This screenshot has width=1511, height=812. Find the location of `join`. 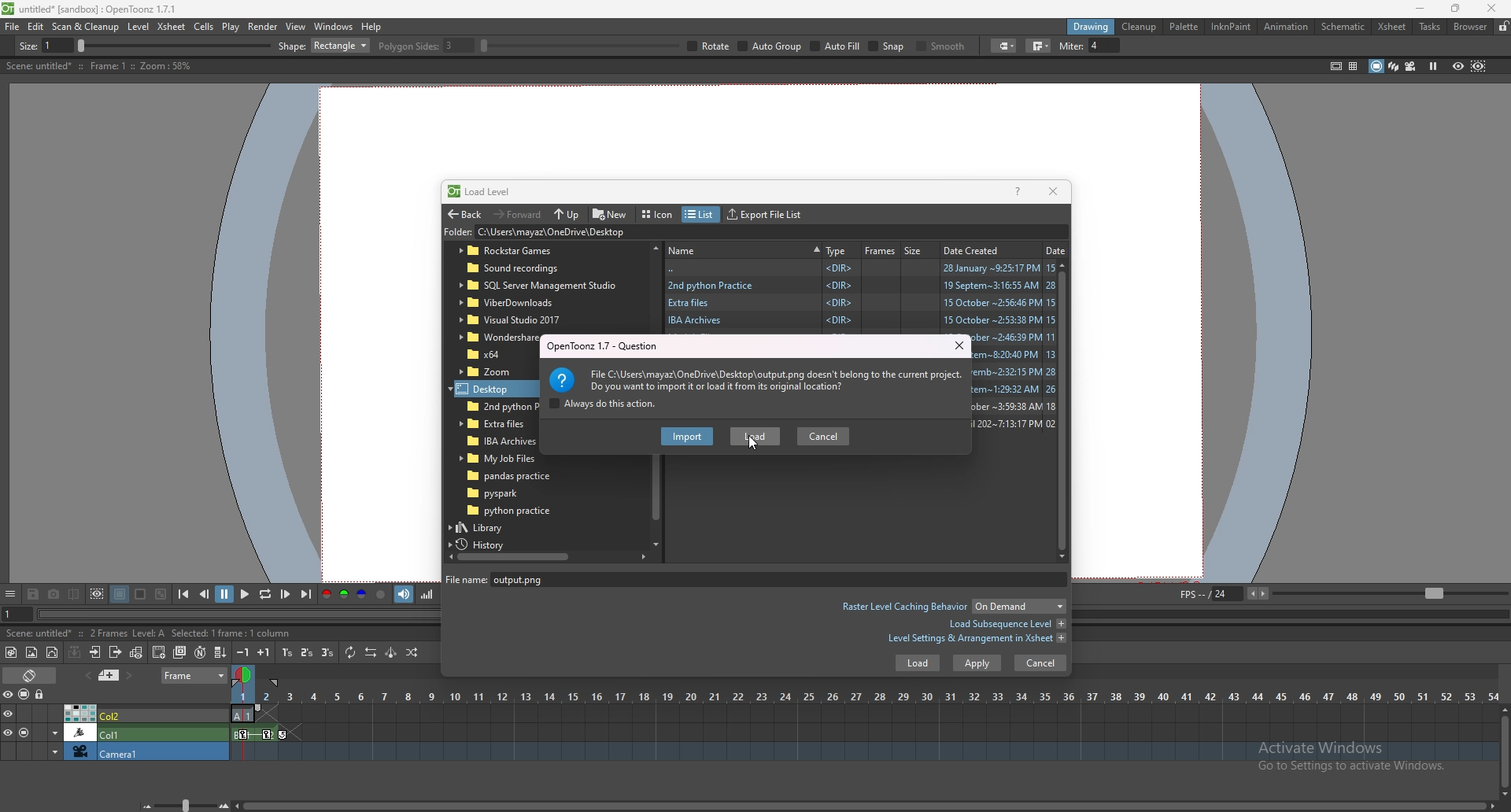

join is located at coordinates (1315, 46).